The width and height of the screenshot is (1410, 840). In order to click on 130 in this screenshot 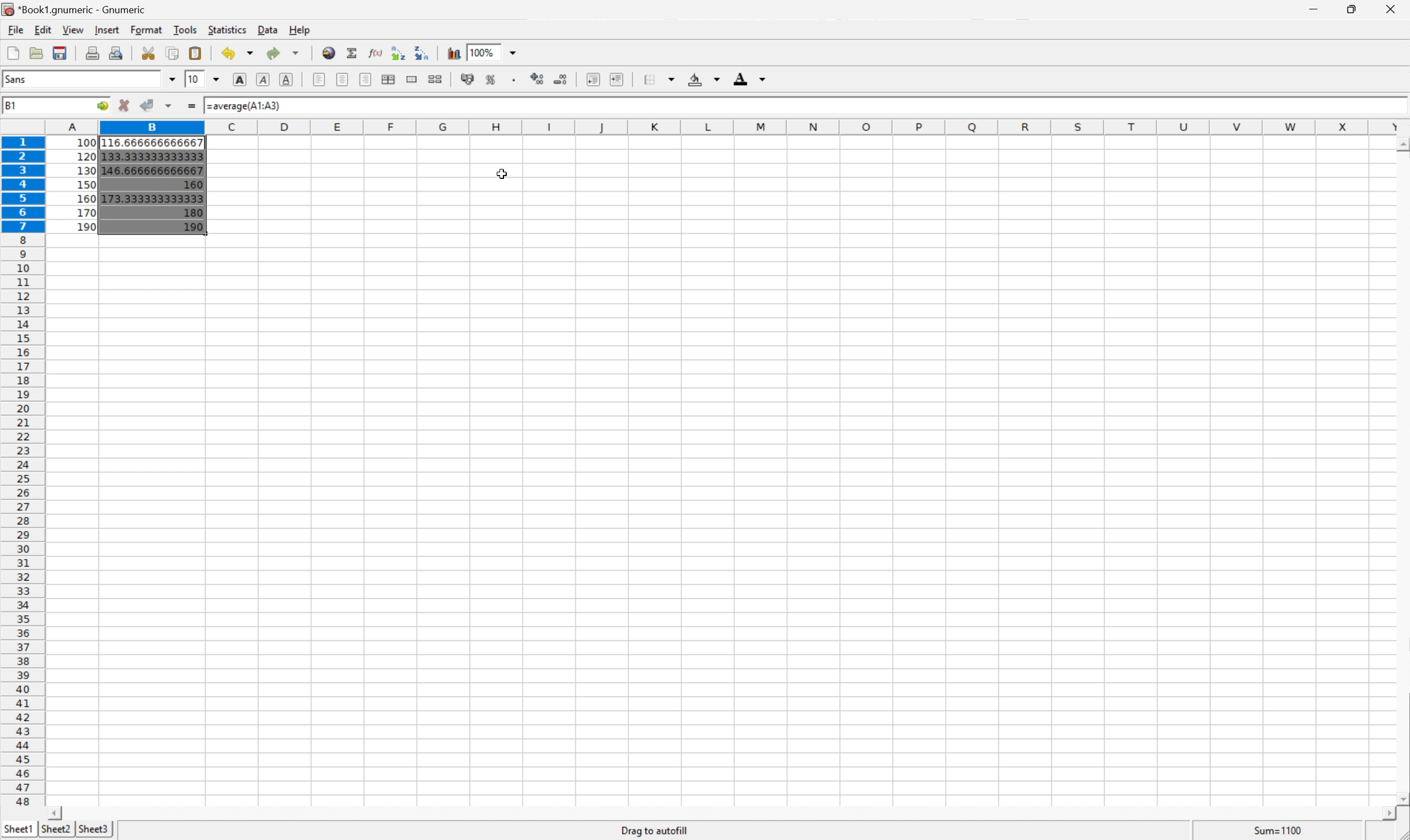, I will do `click(86, 170)`.